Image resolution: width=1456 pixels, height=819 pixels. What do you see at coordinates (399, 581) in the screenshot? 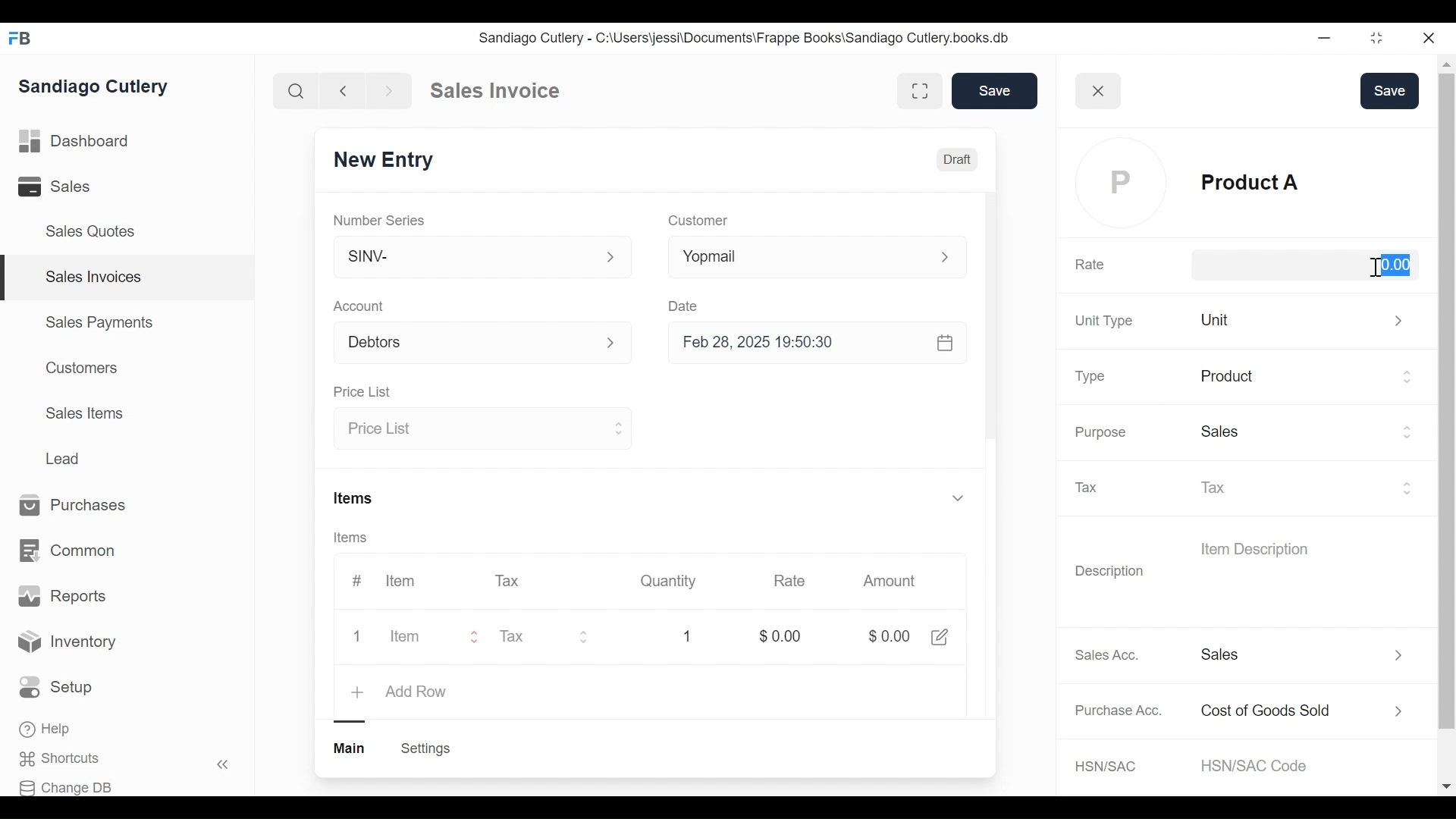
I see `Item` at bounding box center [399, 581].